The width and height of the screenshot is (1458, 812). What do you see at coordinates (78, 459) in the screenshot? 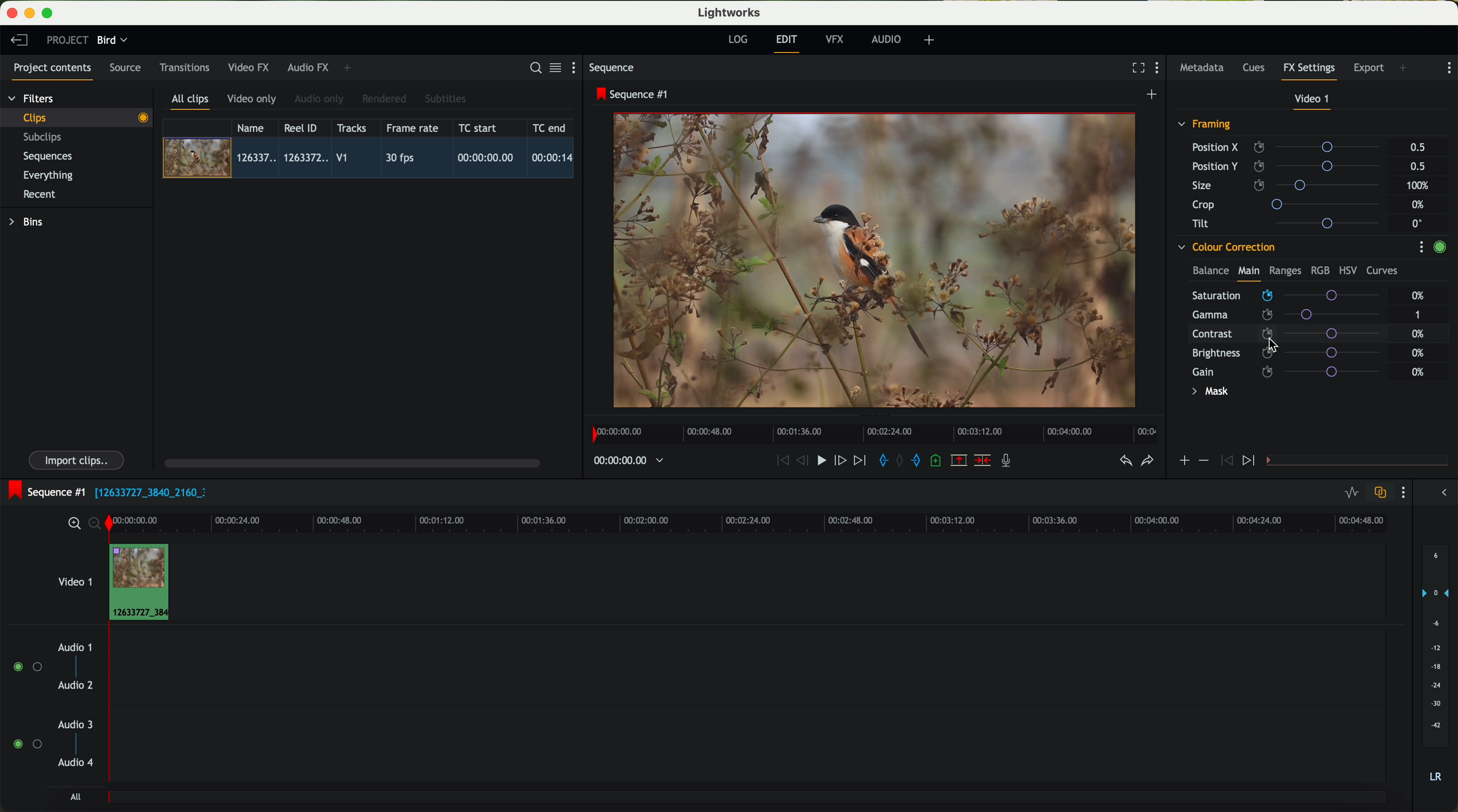
I see `import clips` at bounding box center [78, 459].